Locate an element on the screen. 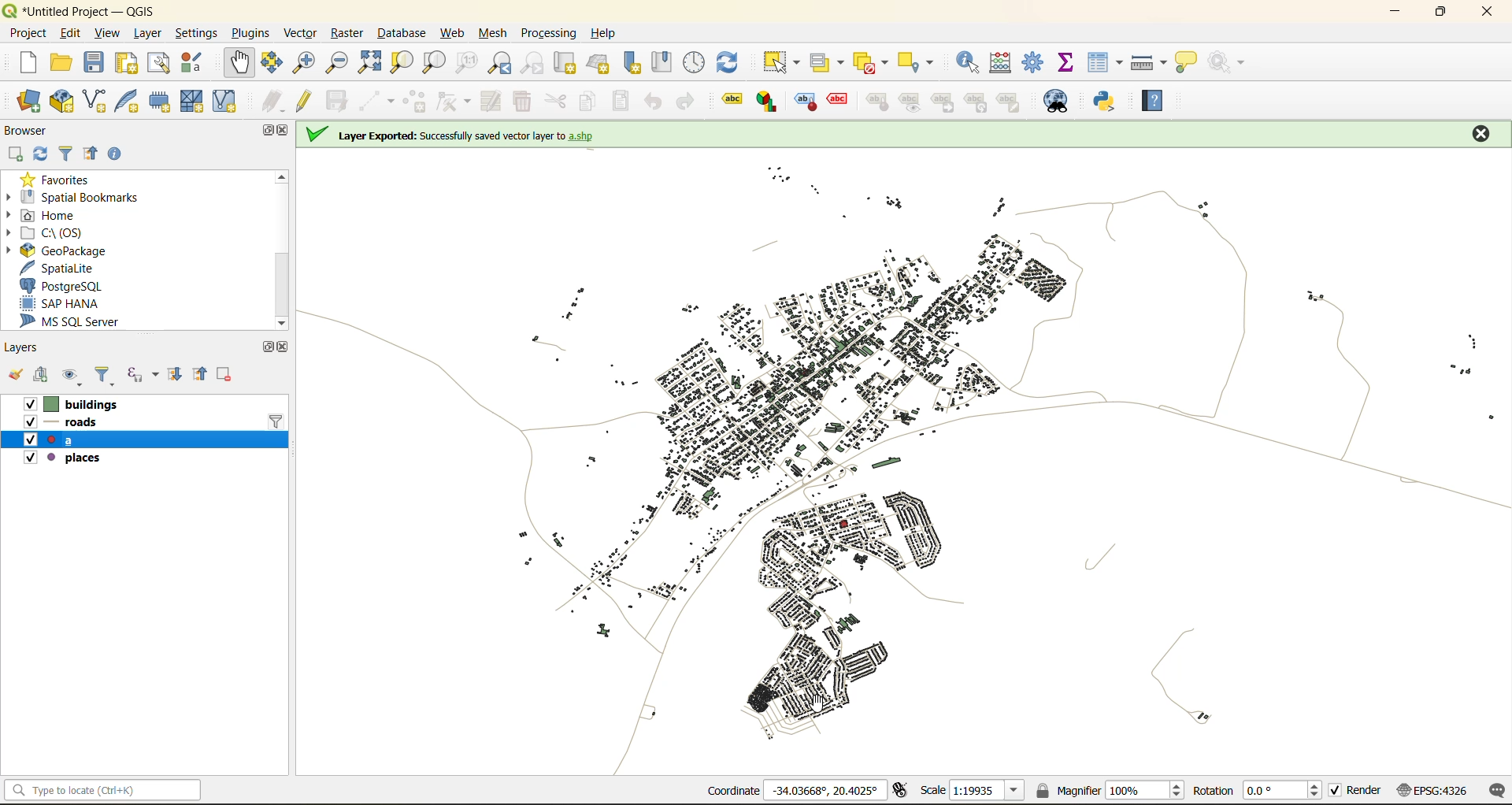  new 3d map view is located at coordinates (600, 64).